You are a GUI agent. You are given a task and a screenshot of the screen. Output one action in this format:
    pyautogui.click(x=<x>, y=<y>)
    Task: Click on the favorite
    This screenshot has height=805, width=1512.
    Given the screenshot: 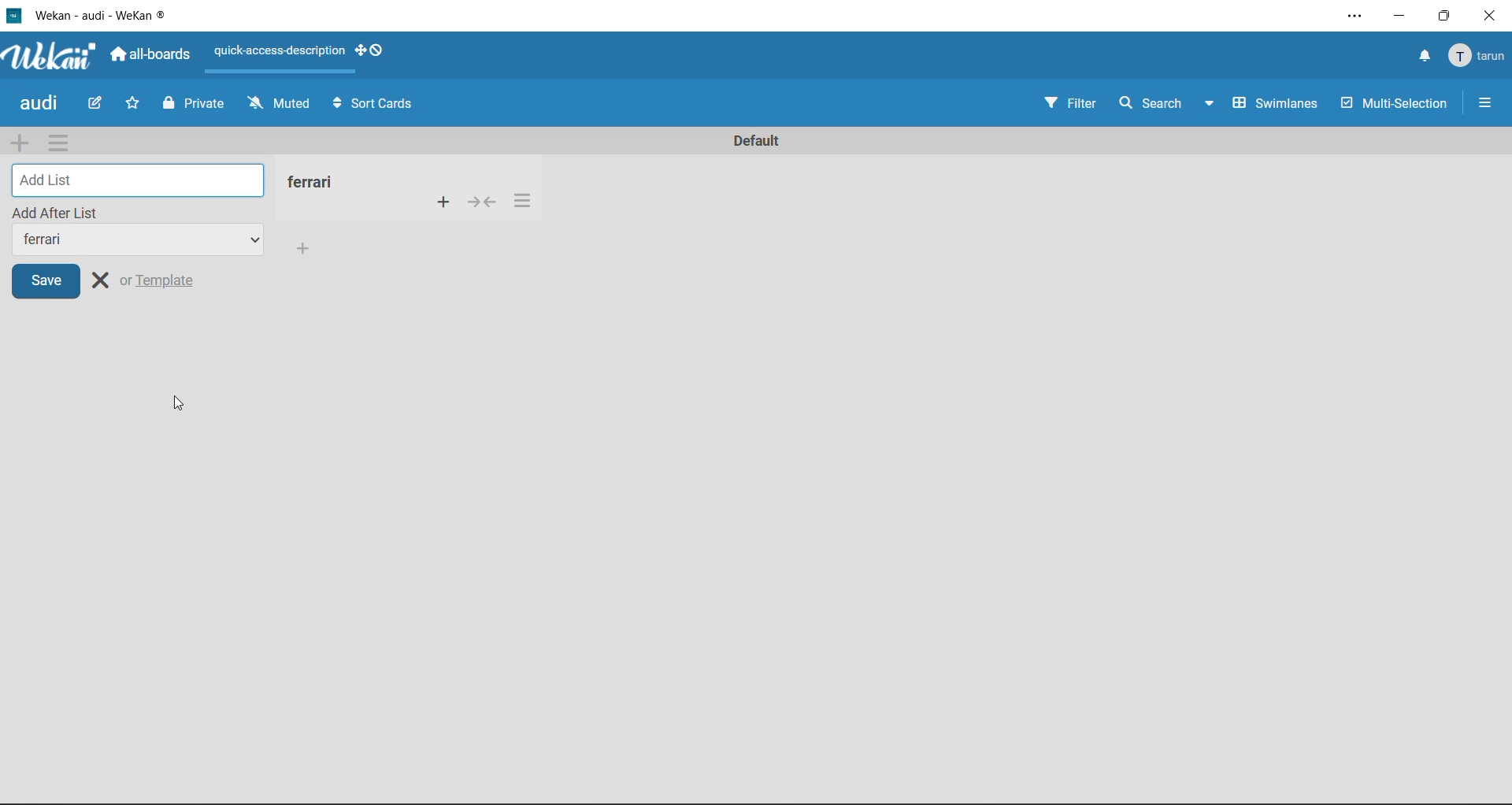 What is the action you would take?
    pyautogui.click(x=135, y=106)
    